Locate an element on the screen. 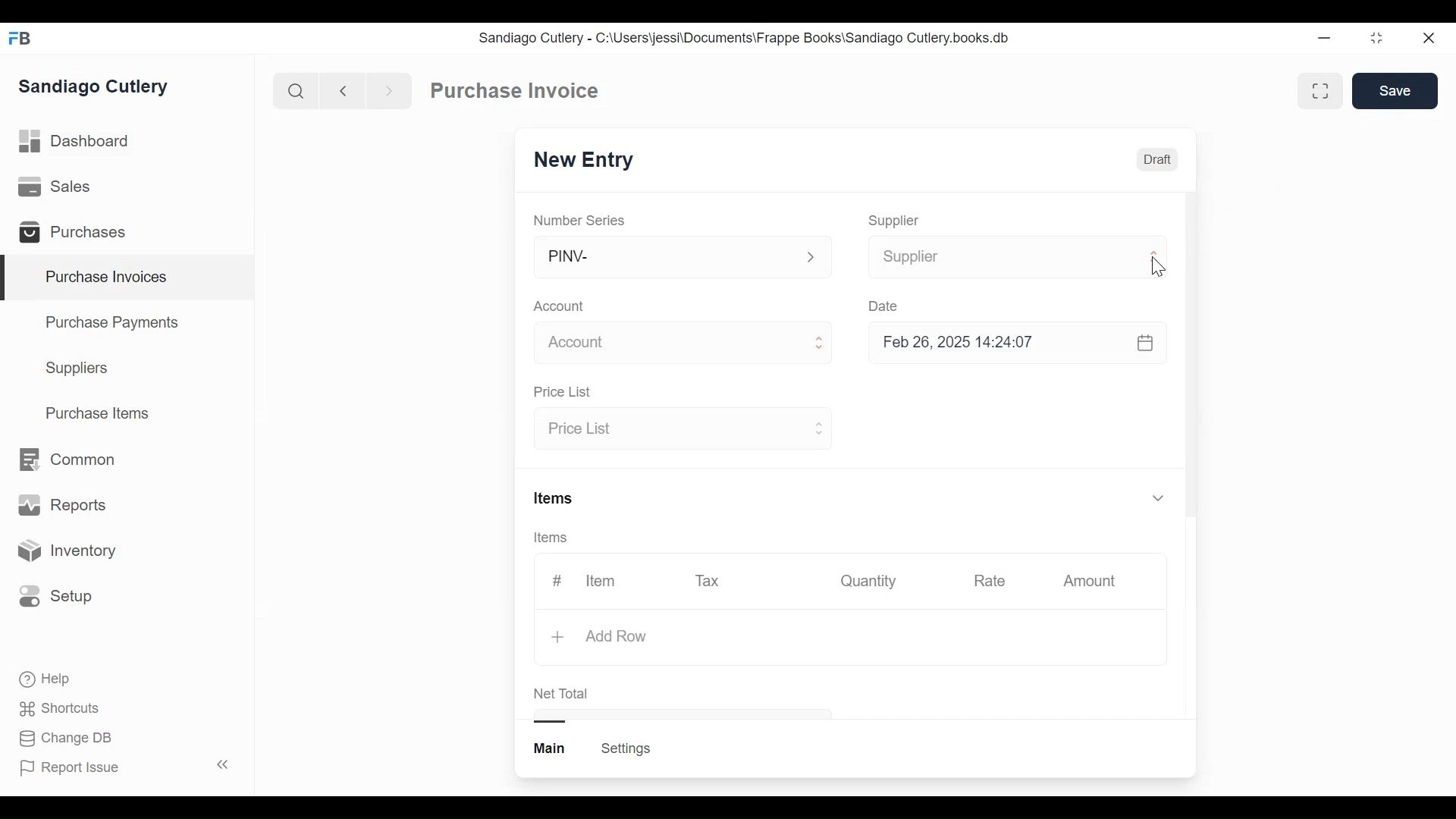 The width and height of the screenshot is (1456, 819). Purchase Invoice is located at coordinates (516, 91).